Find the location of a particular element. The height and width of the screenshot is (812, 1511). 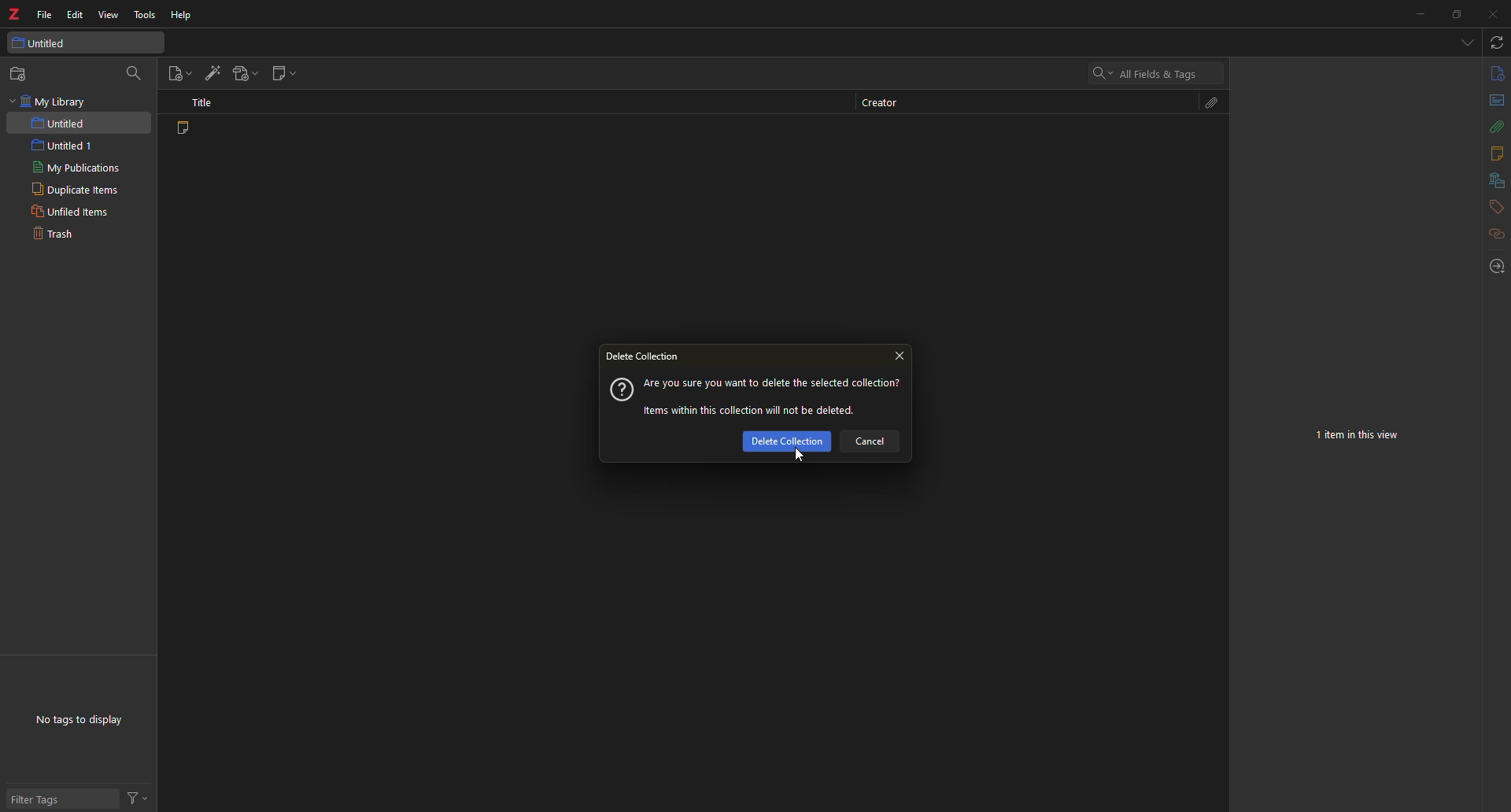

library is located at coordinates (1494, 180).